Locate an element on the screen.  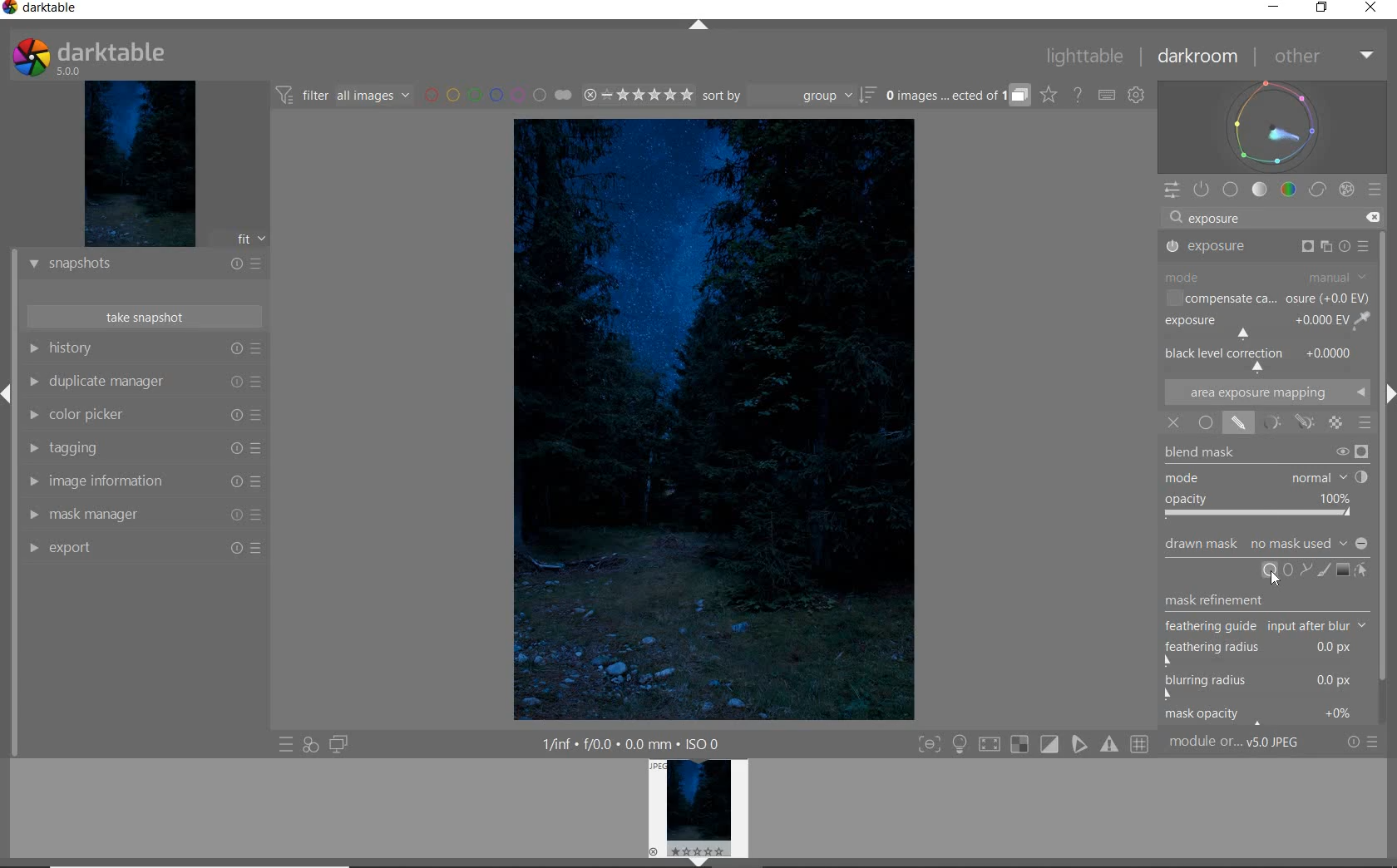
SCROLLBAR is located at coordinates (1389, 303).